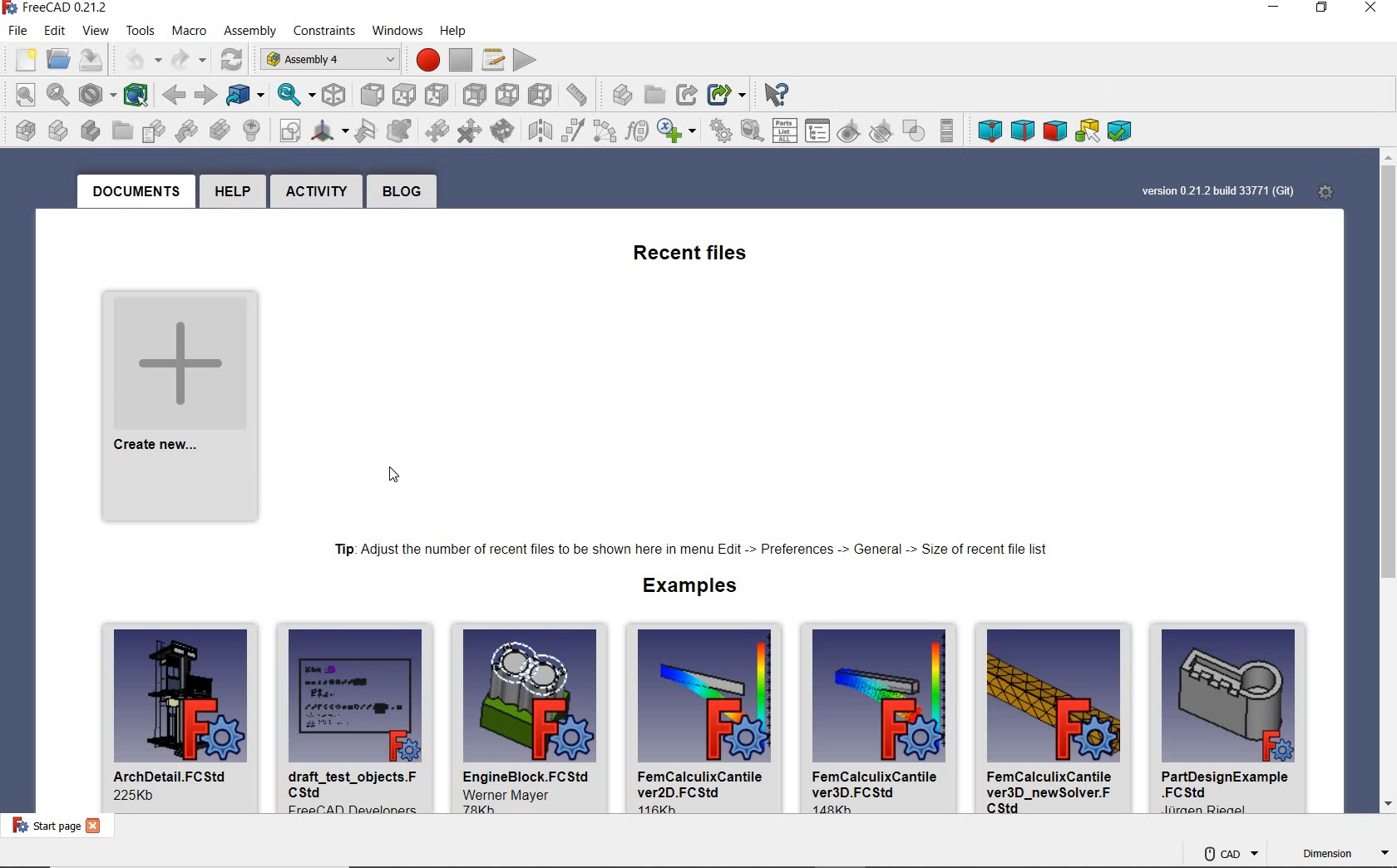 The image size is (1397, 868). What do you see at coordinates (369, 97) in the screenshot?
I see `front` at bounding box center [369, 97].